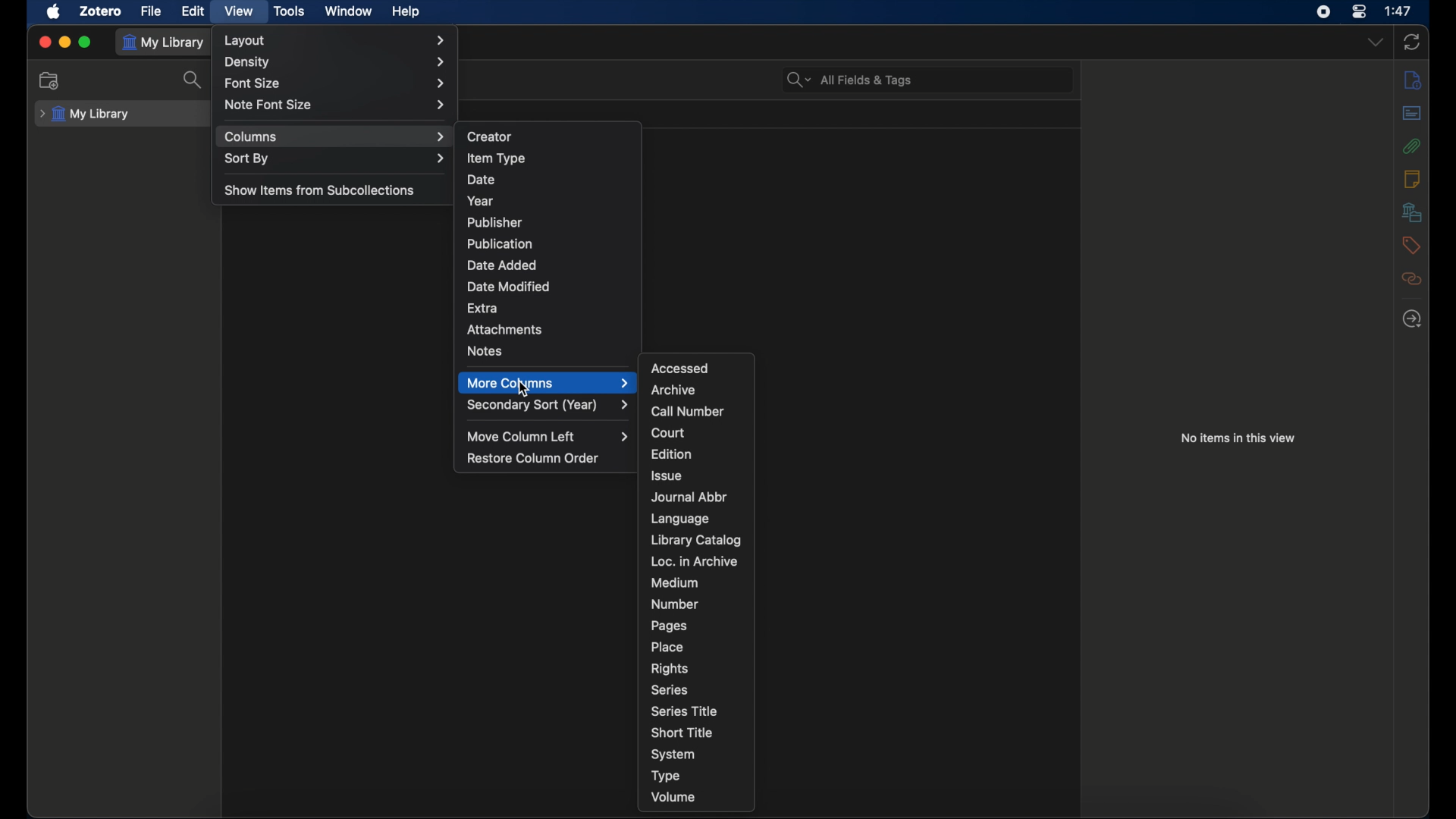 This screenshot has width=1456, height=819. Describe the element at coordinates (548, 383) in the screenshot. I see `more columns` at that location.